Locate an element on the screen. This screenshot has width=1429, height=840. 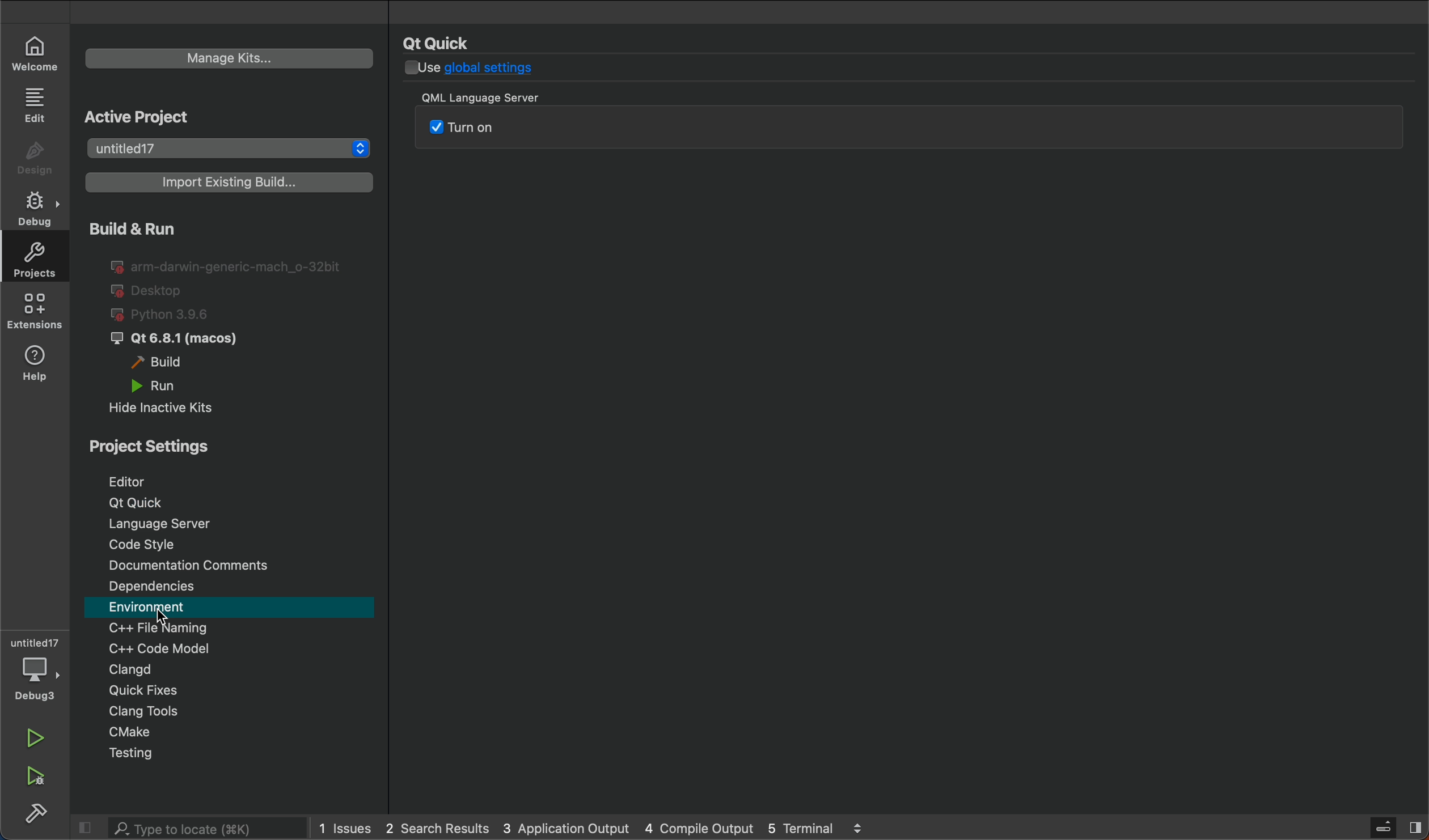
Build & Run is located at coordinates (171, 228).